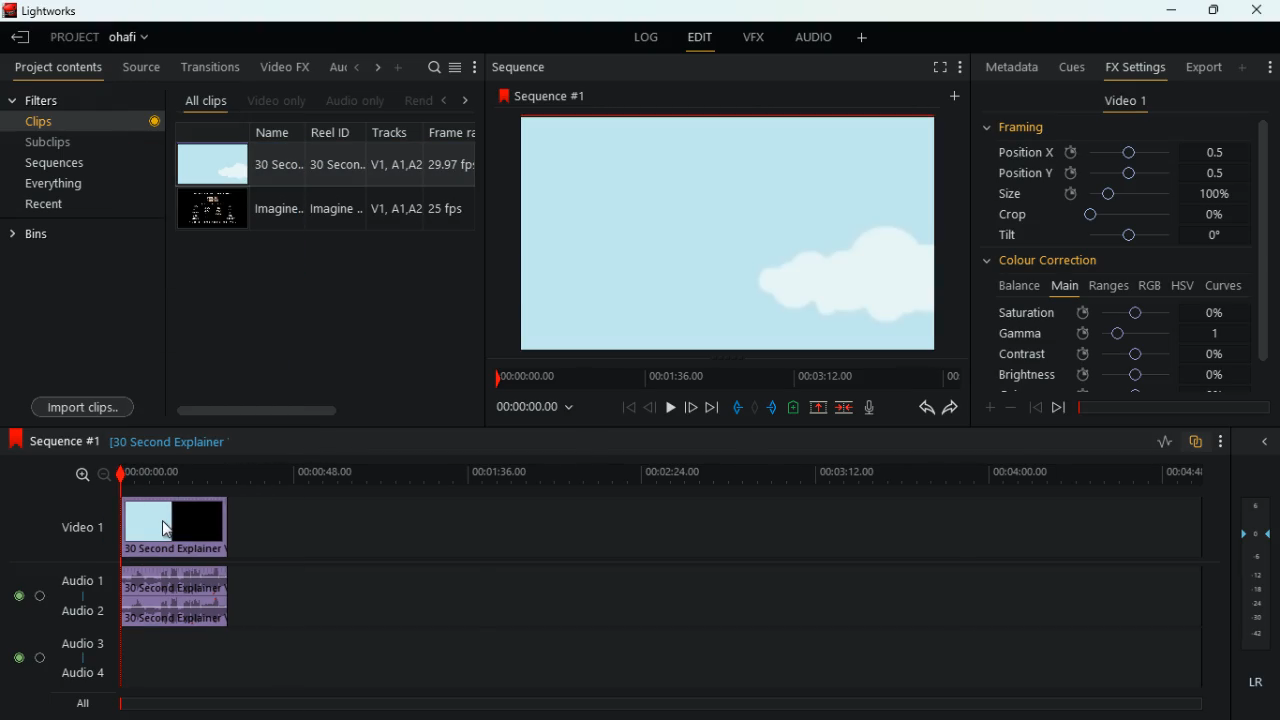 This screenshot has width=1280, height=720. Describe the element at coordinates (73, 187) in the screenshot. I see `everything` at that location.